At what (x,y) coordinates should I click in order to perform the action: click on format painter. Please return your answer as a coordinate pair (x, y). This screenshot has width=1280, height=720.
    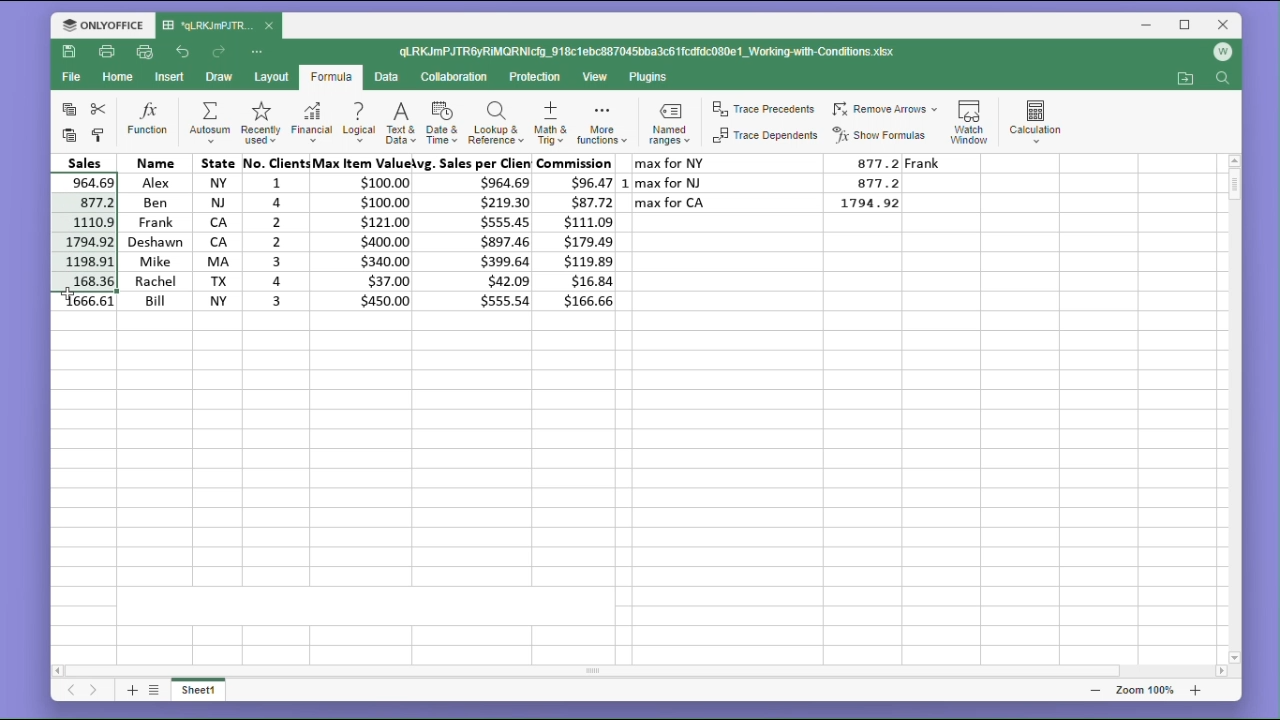
    Looking at the image, I should click on (100, 134).